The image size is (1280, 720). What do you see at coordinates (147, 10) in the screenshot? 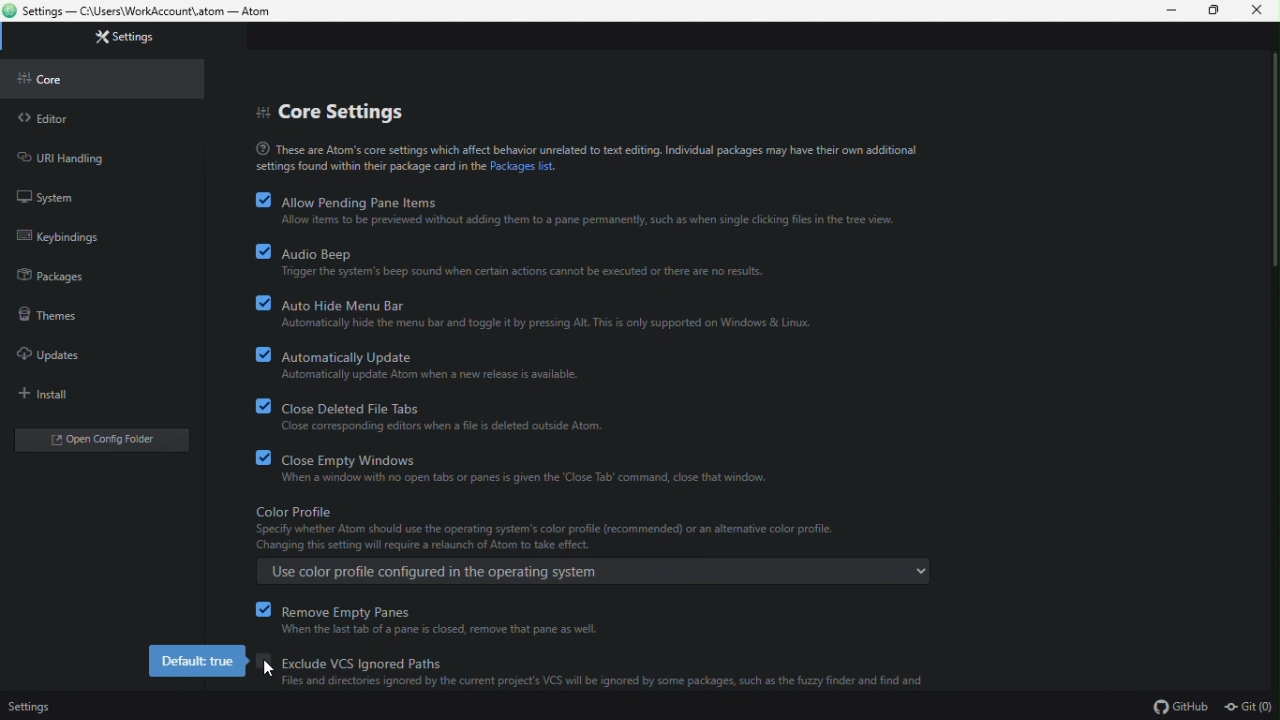
I see `File name and file path` at bounding box center [147, 10].